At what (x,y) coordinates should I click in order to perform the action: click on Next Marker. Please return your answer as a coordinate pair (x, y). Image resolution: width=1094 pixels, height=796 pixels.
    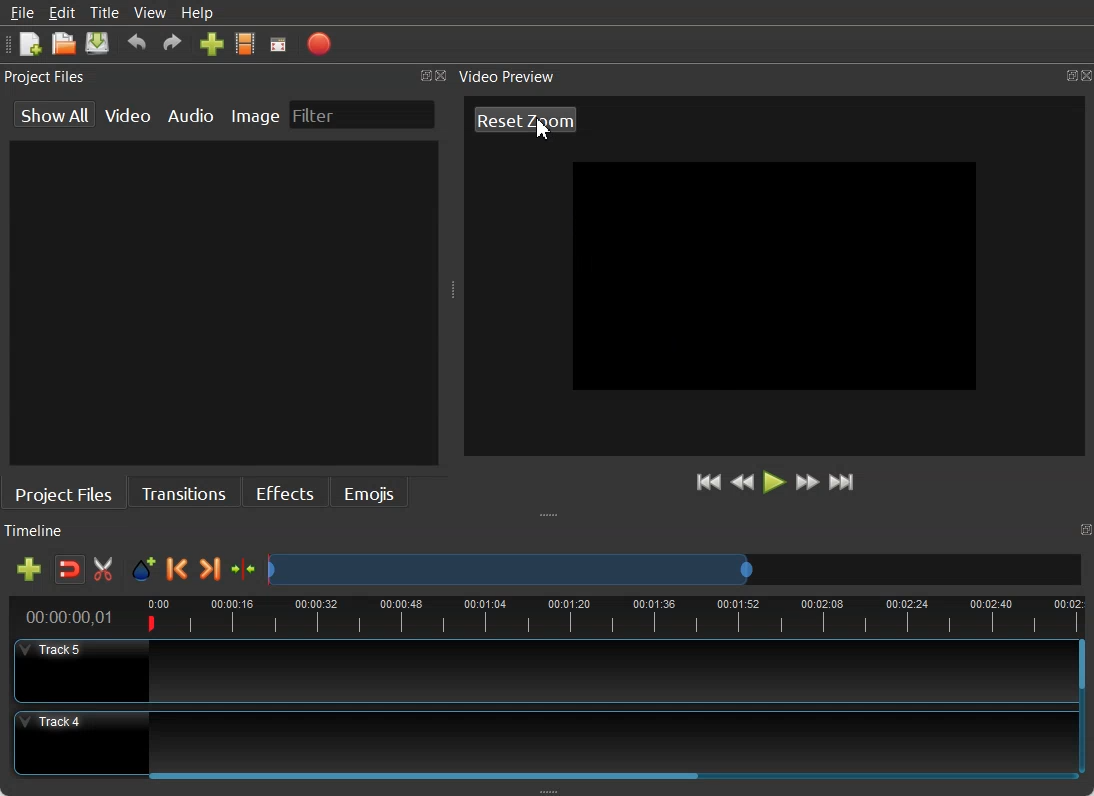
    Looking at the image, I should click on (211, 569).